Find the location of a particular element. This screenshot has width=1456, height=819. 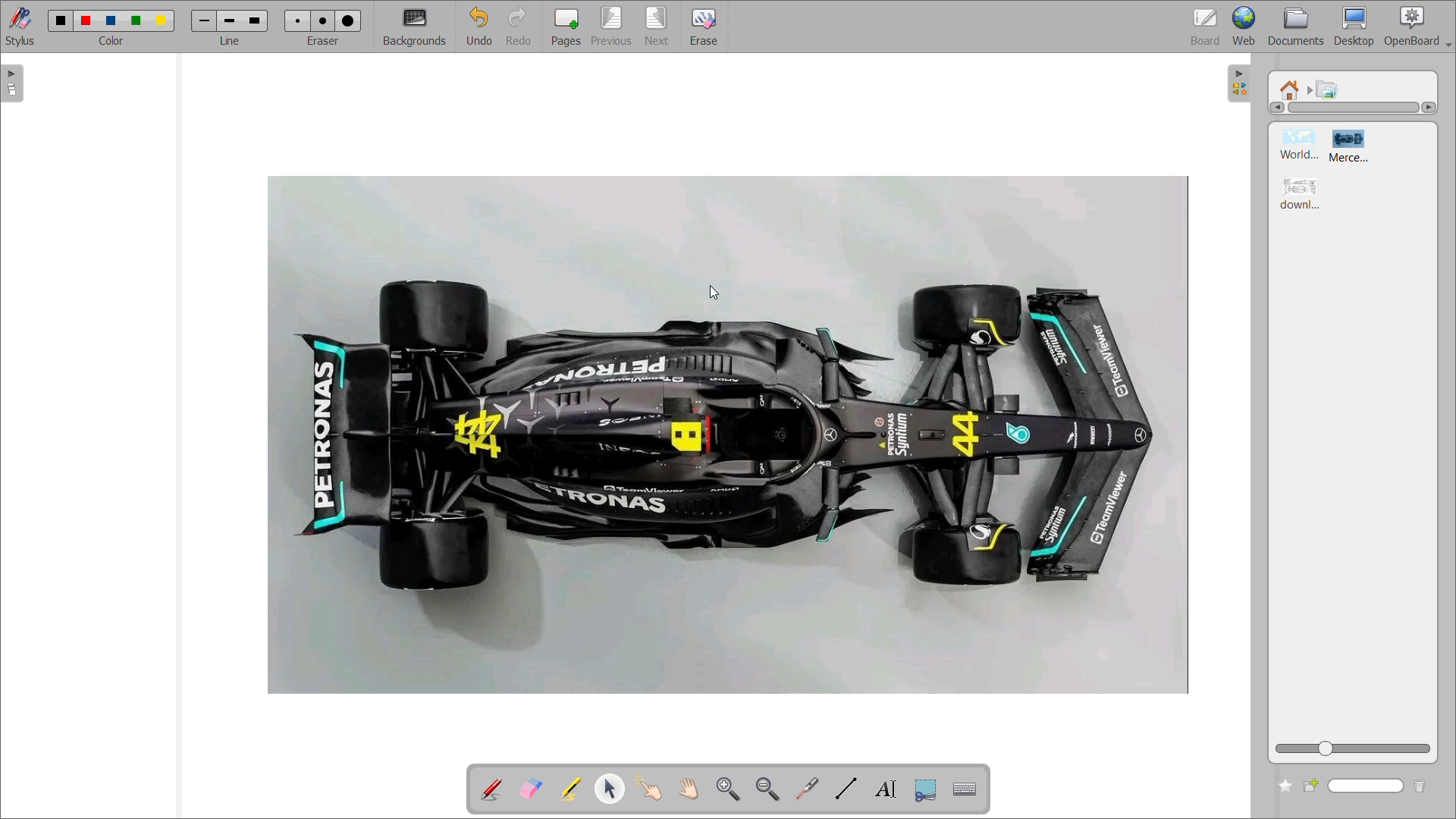

eraser 2 is located at coordinates (323, 21).